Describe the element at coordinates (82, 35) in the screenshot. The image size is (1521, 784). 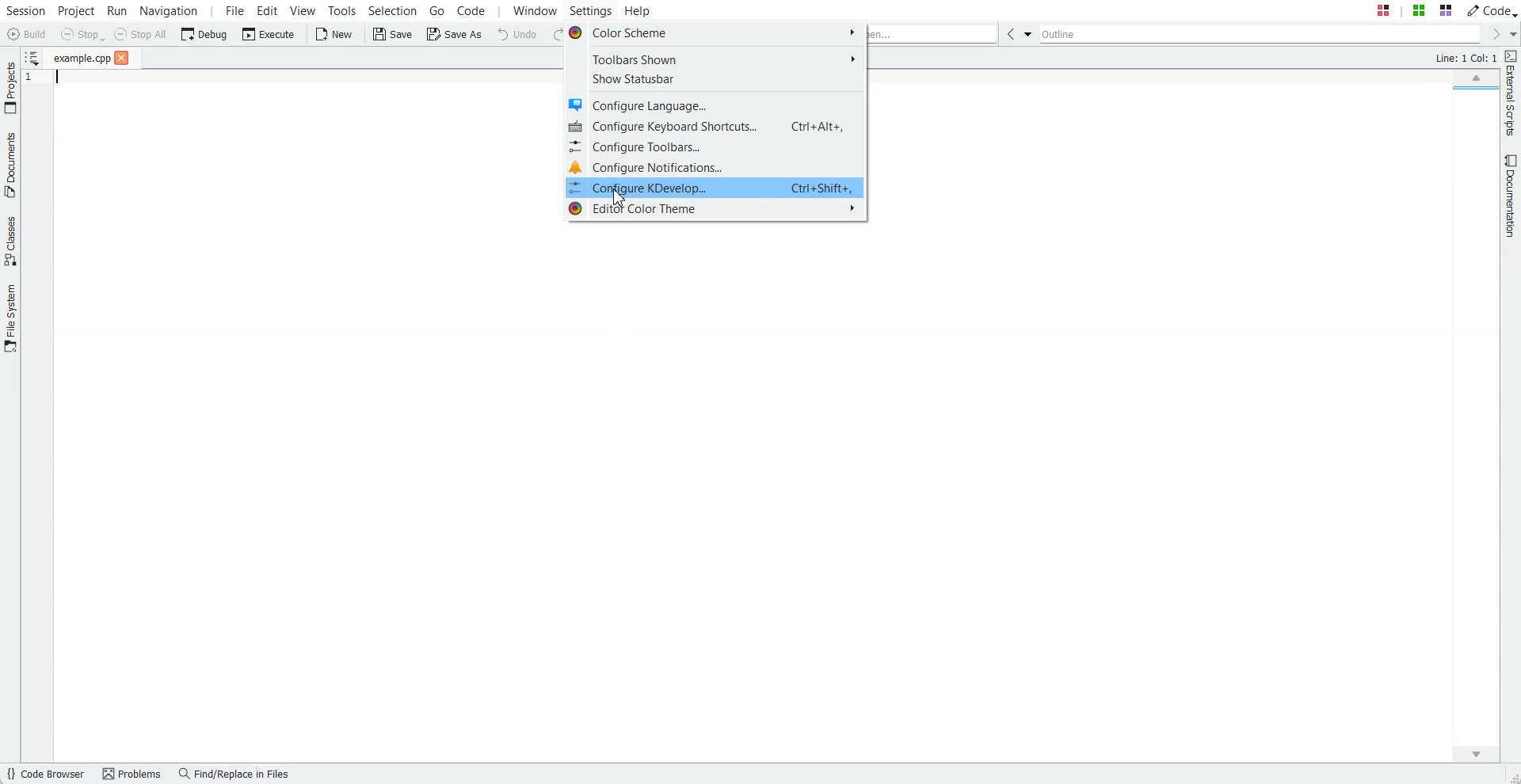
I see `Stop` at that location.